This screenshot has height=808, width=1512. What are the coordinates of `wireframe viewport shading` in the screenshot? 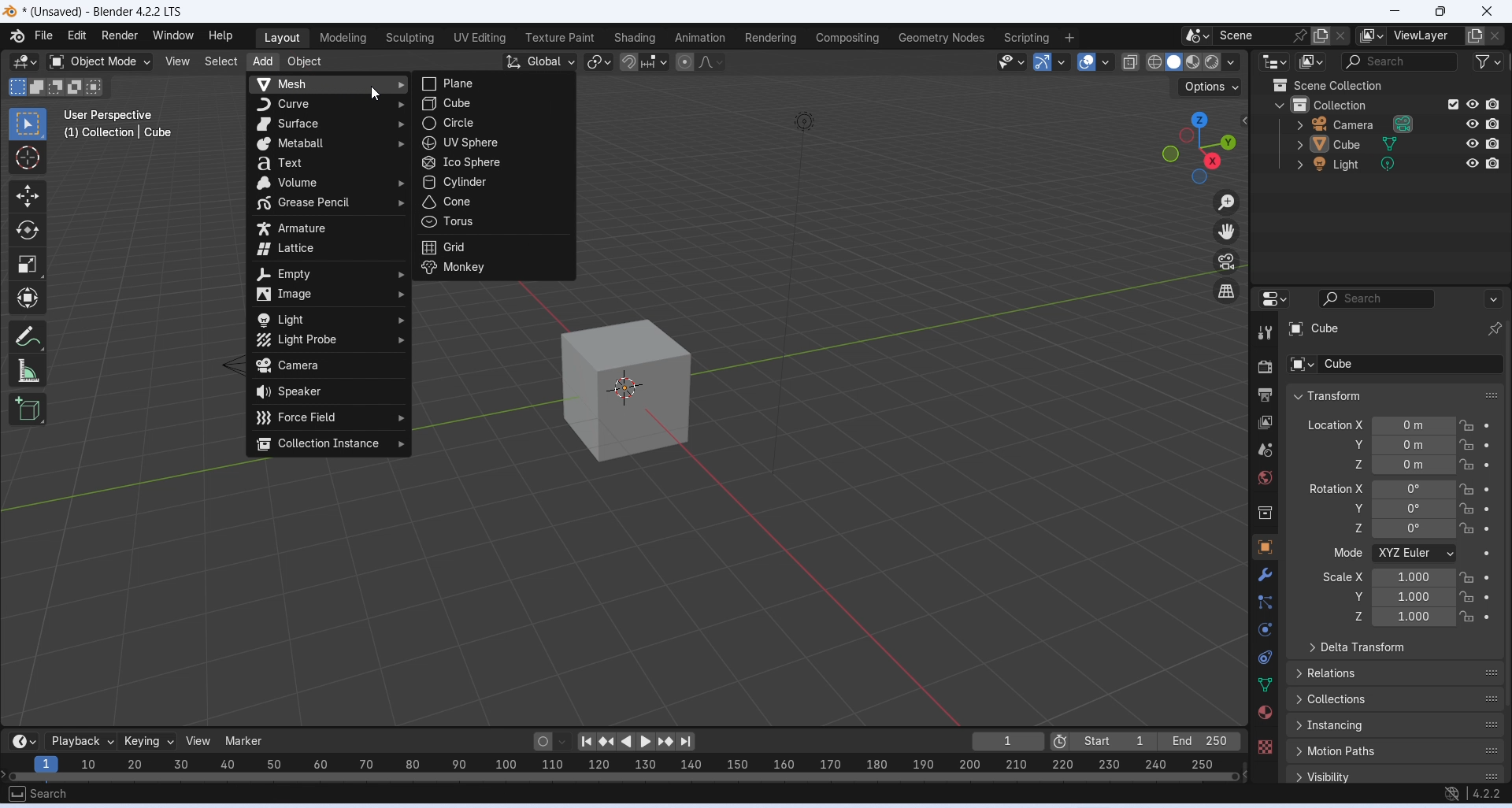 It's located at (1154, 61).